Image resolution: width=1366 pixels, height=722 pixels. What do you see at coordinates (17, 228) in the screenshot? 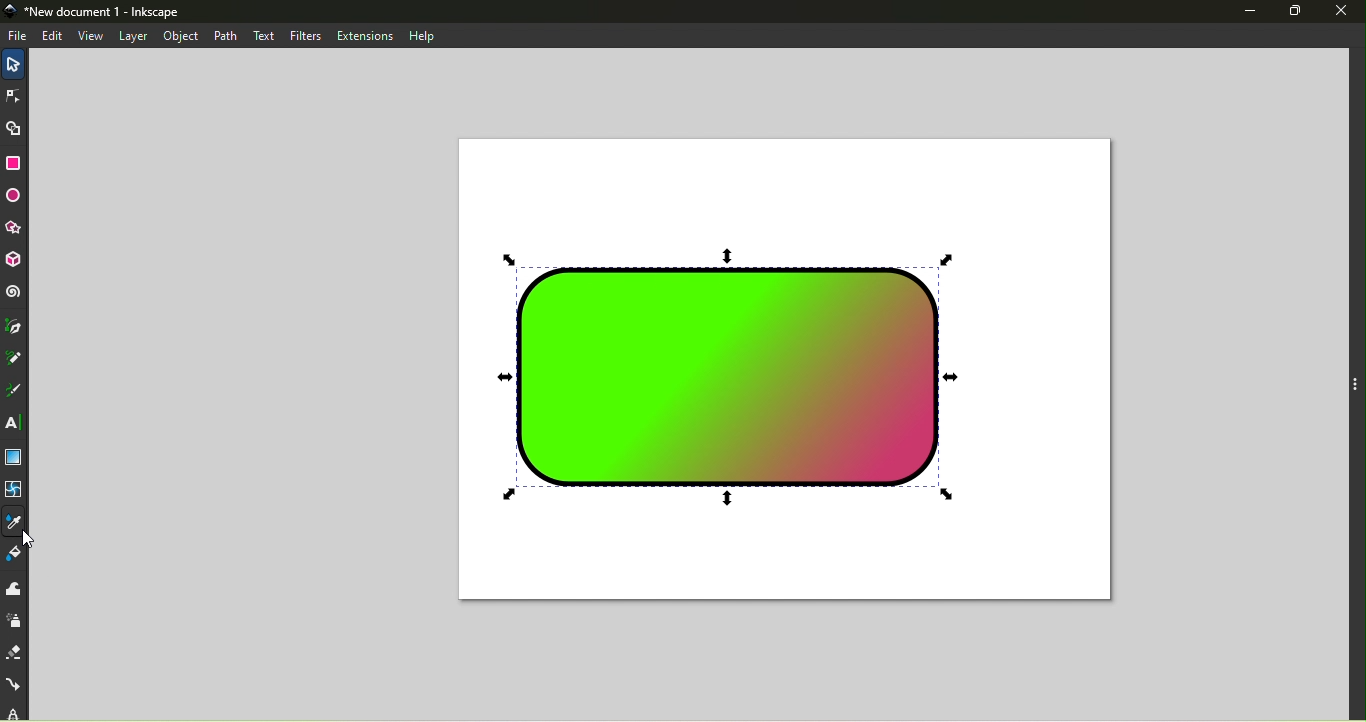
I see `Star/polygon tool` at bounding box center [17, 228].